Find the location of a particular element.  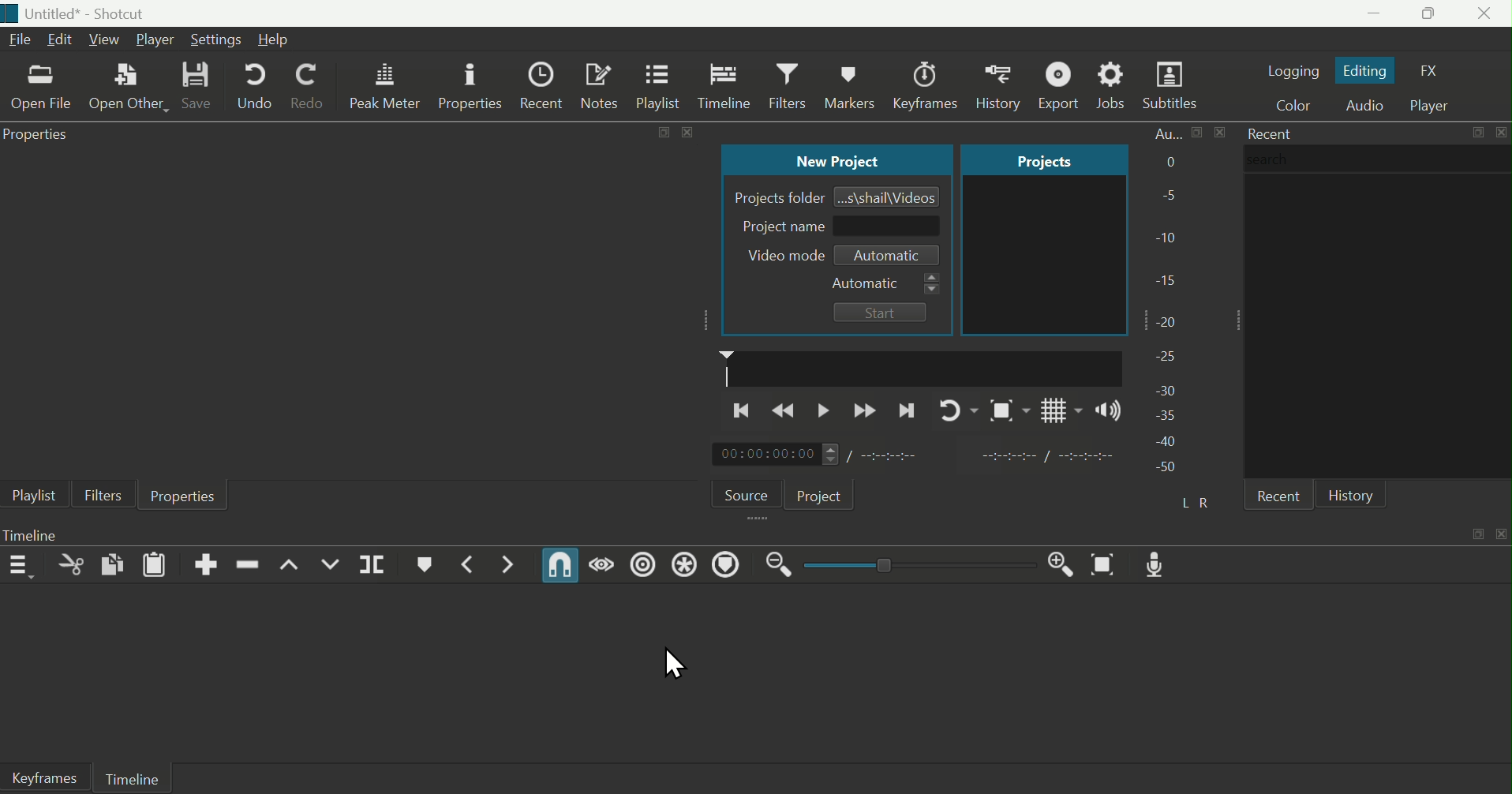

Save is located at coordinates (196, 88).